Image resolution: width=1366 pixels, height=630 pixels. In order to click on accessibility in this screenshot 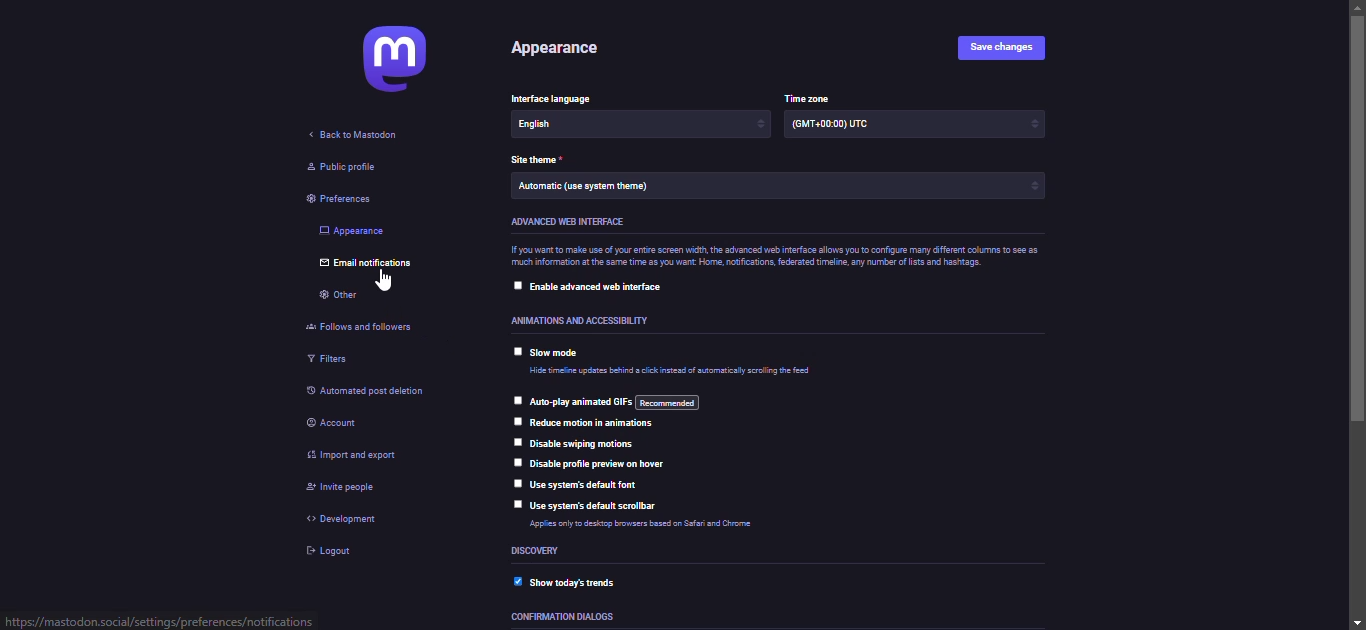, I will do `click(584, 317)`.